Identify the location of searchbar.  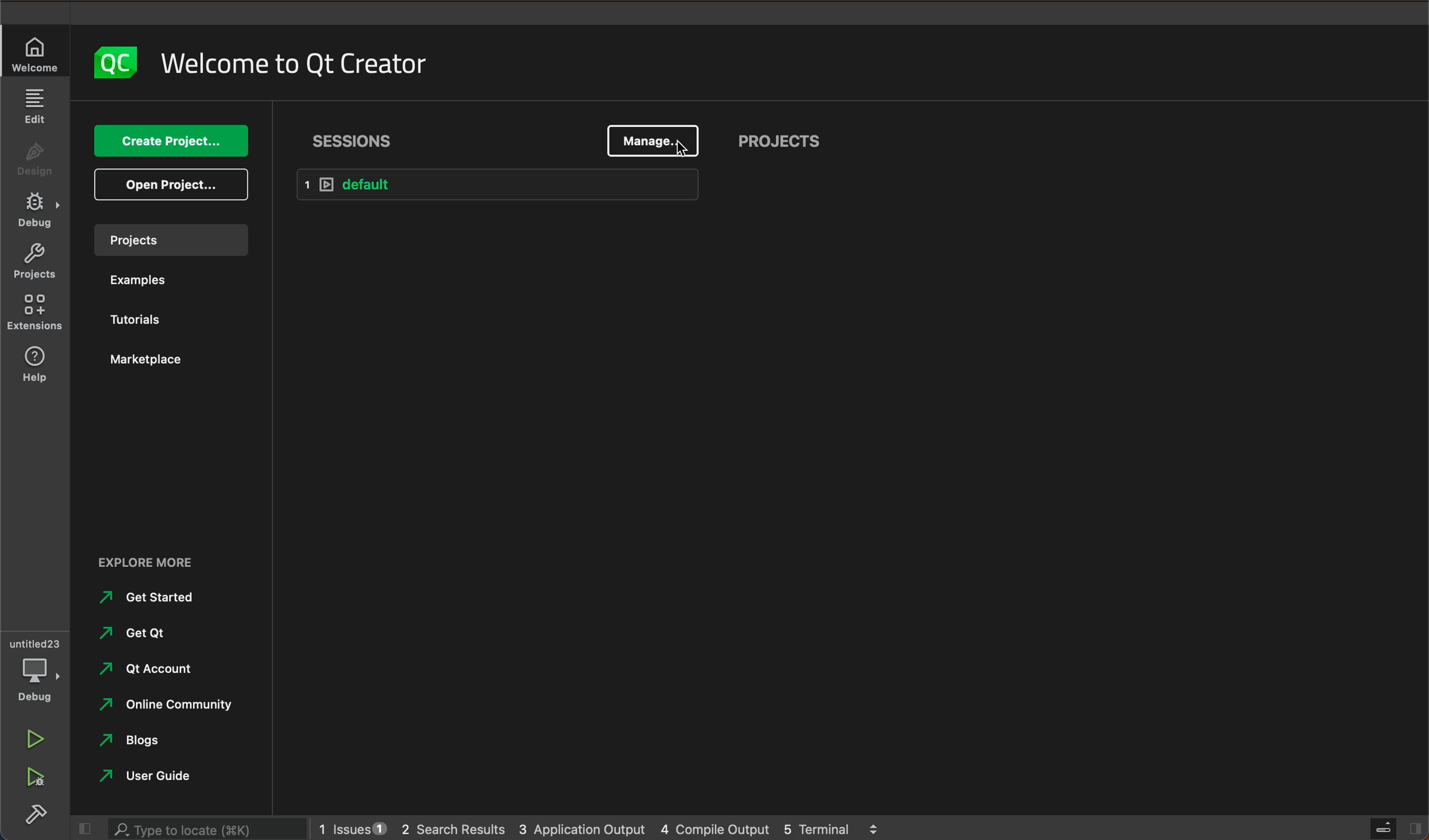
(203, 828).